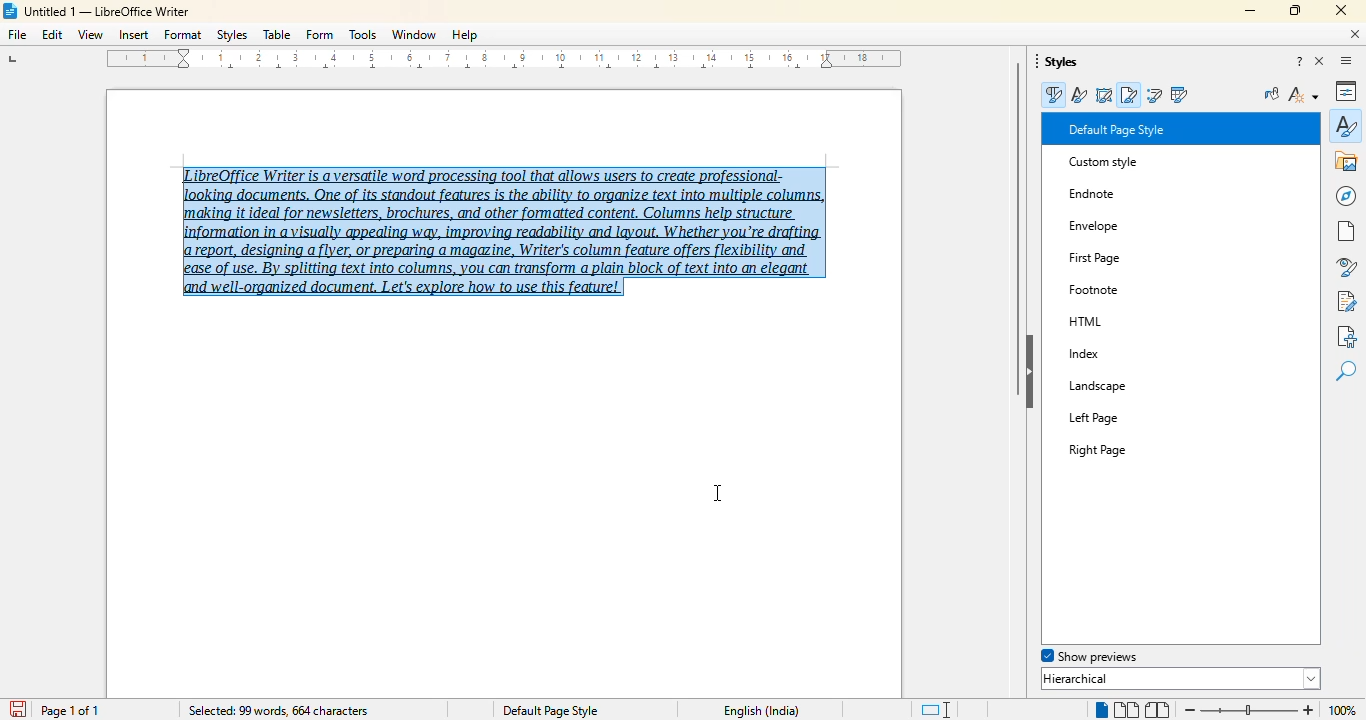 This screenshot has height=720, width=1366. I want to click on table styles, so click(1178, 94).